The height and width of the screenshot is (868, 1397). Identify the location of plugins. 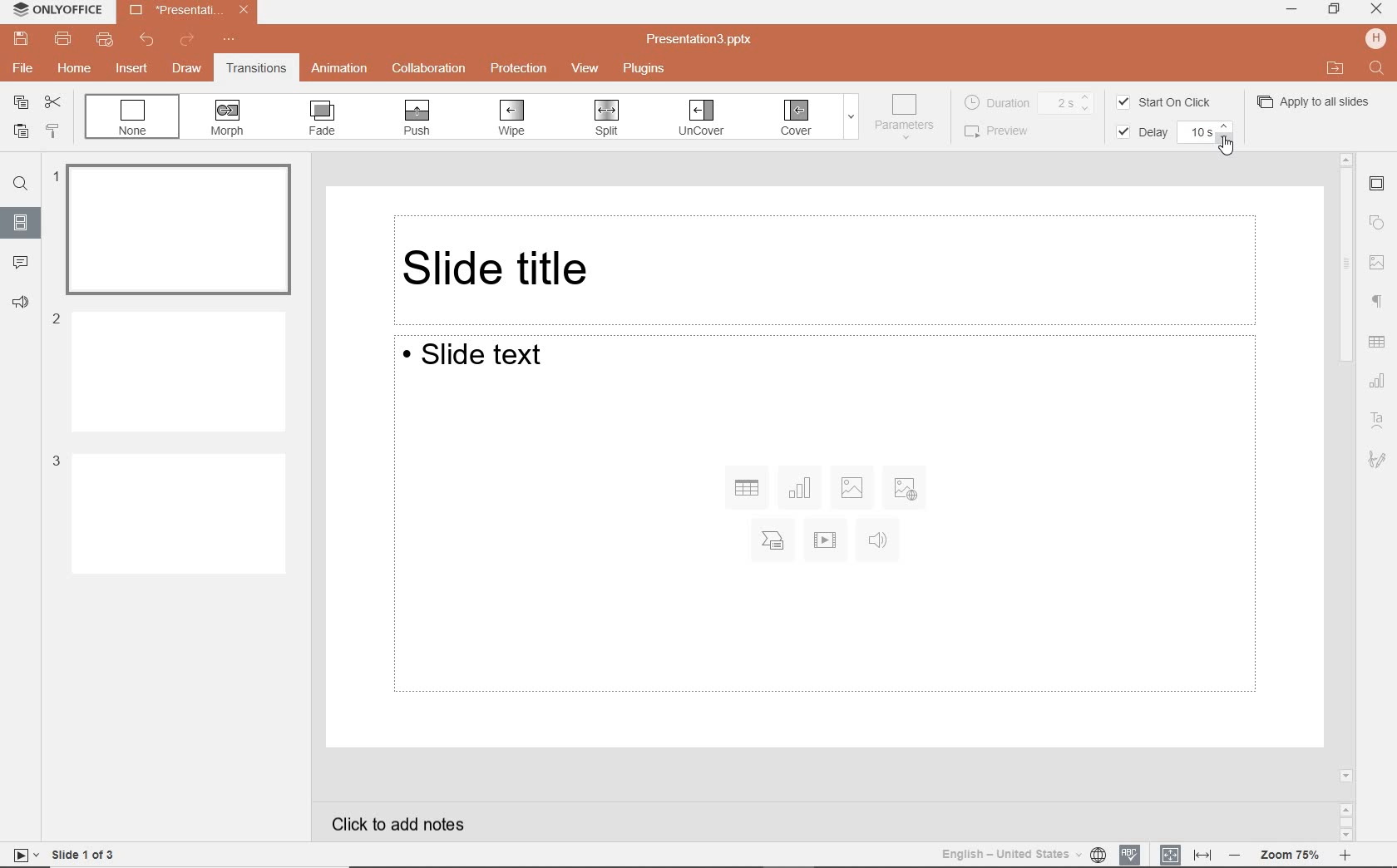
(649, 70).